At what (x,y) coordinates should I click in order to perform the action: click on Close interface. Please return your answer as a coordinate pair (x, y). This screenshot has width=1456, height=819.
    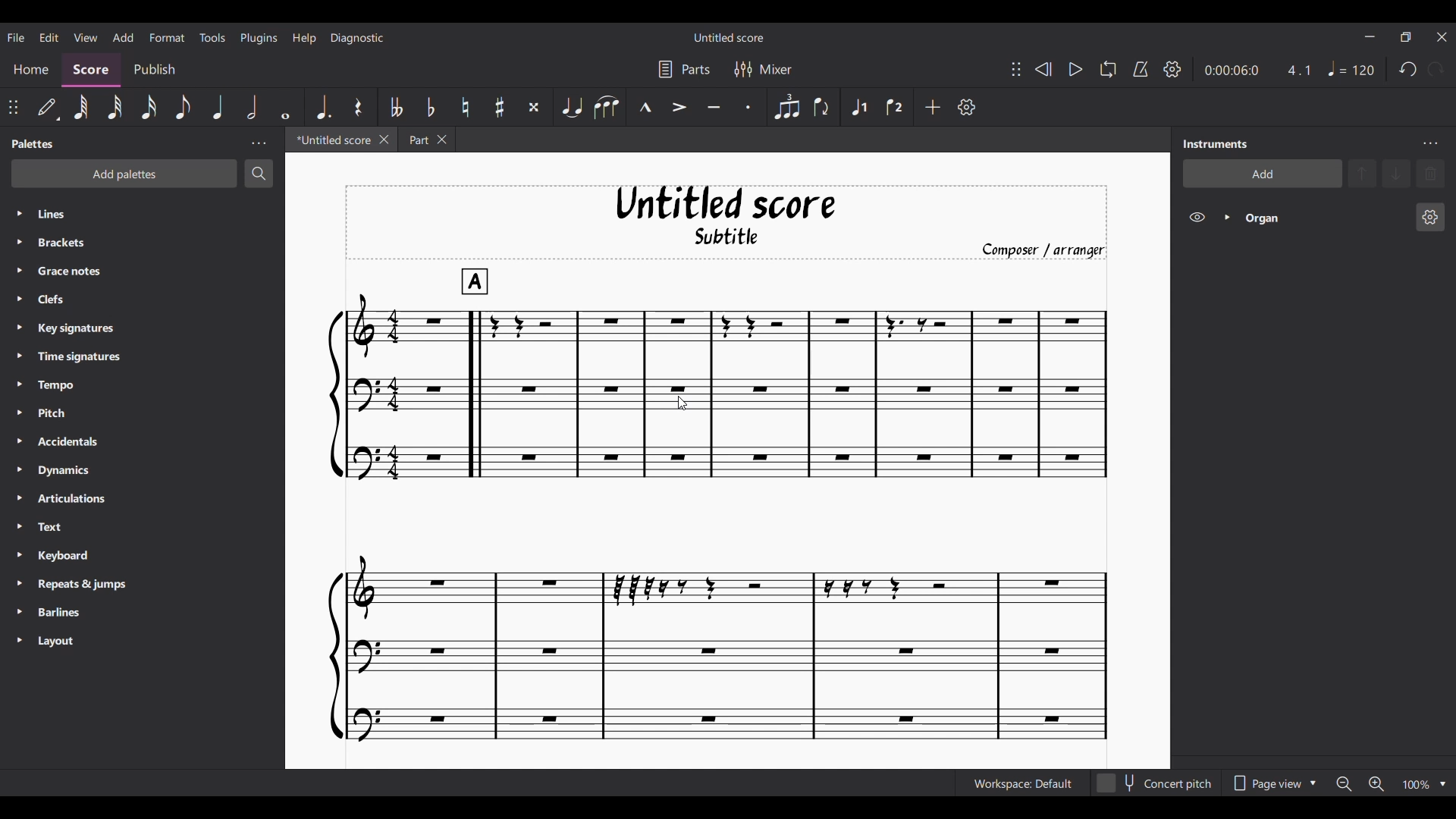
    Looking at the image, I should click on (1442, 37).